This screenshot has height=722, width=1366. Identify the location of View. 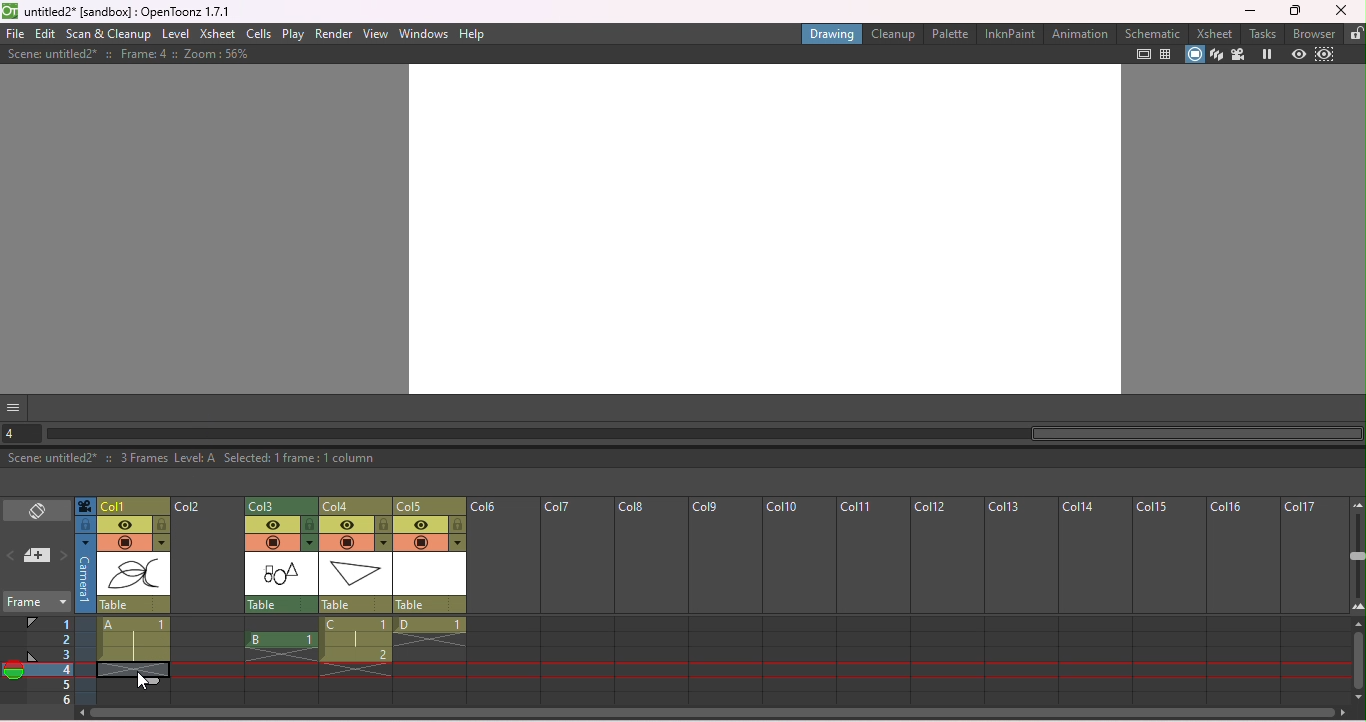
(376, 33).